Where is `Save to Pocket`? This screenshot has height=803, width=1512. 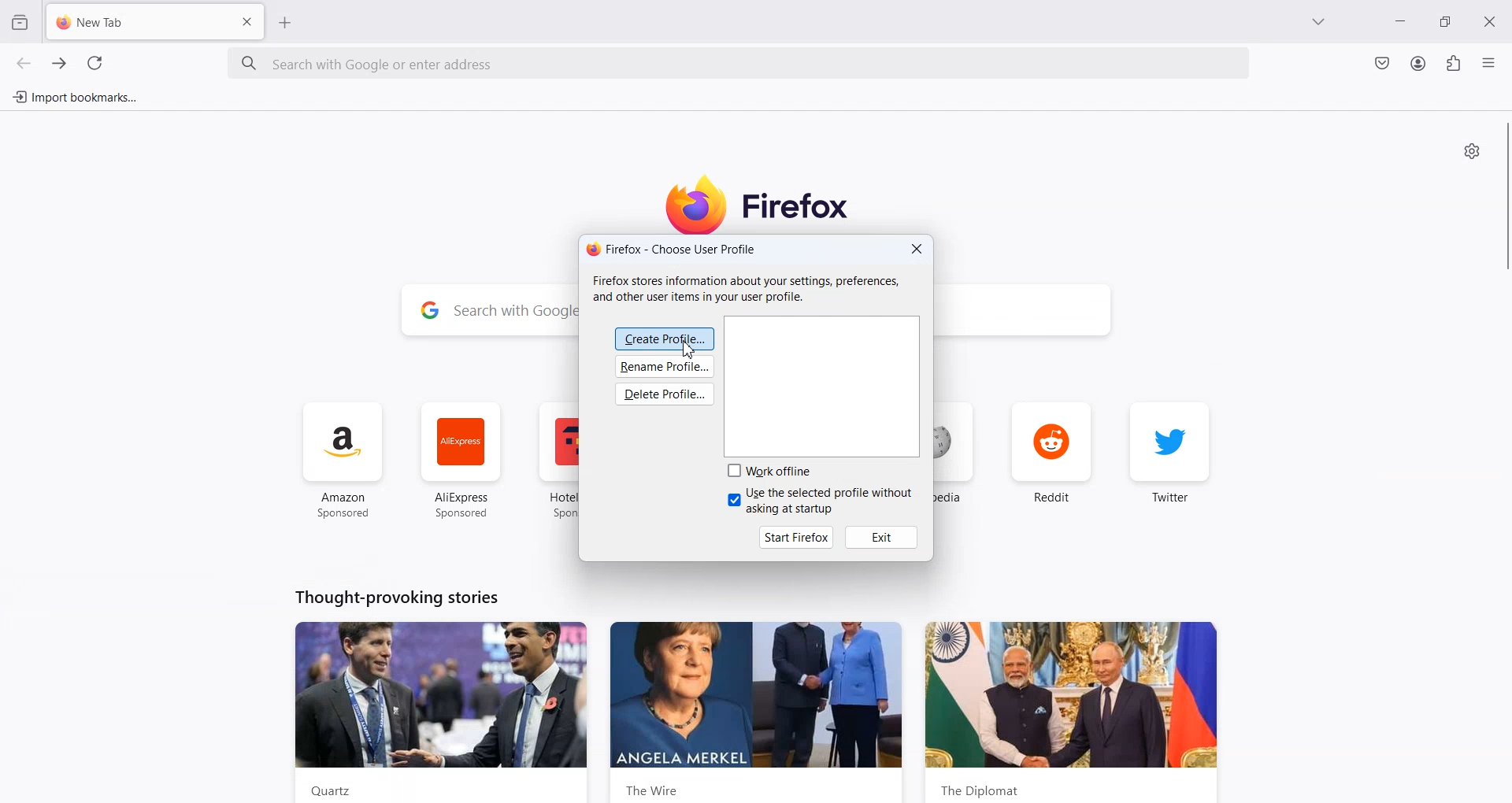 Save to Pocket is located at coordinates (1380, 63).